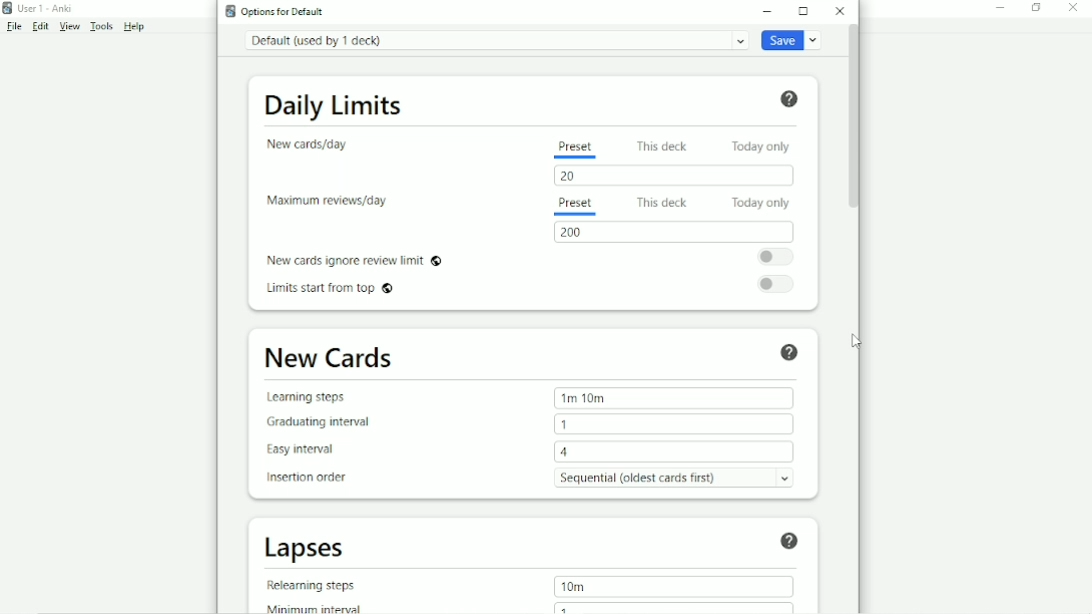  Describe the element at coordinates (579, 206) in the screenshot. I see `Preset` at that location.